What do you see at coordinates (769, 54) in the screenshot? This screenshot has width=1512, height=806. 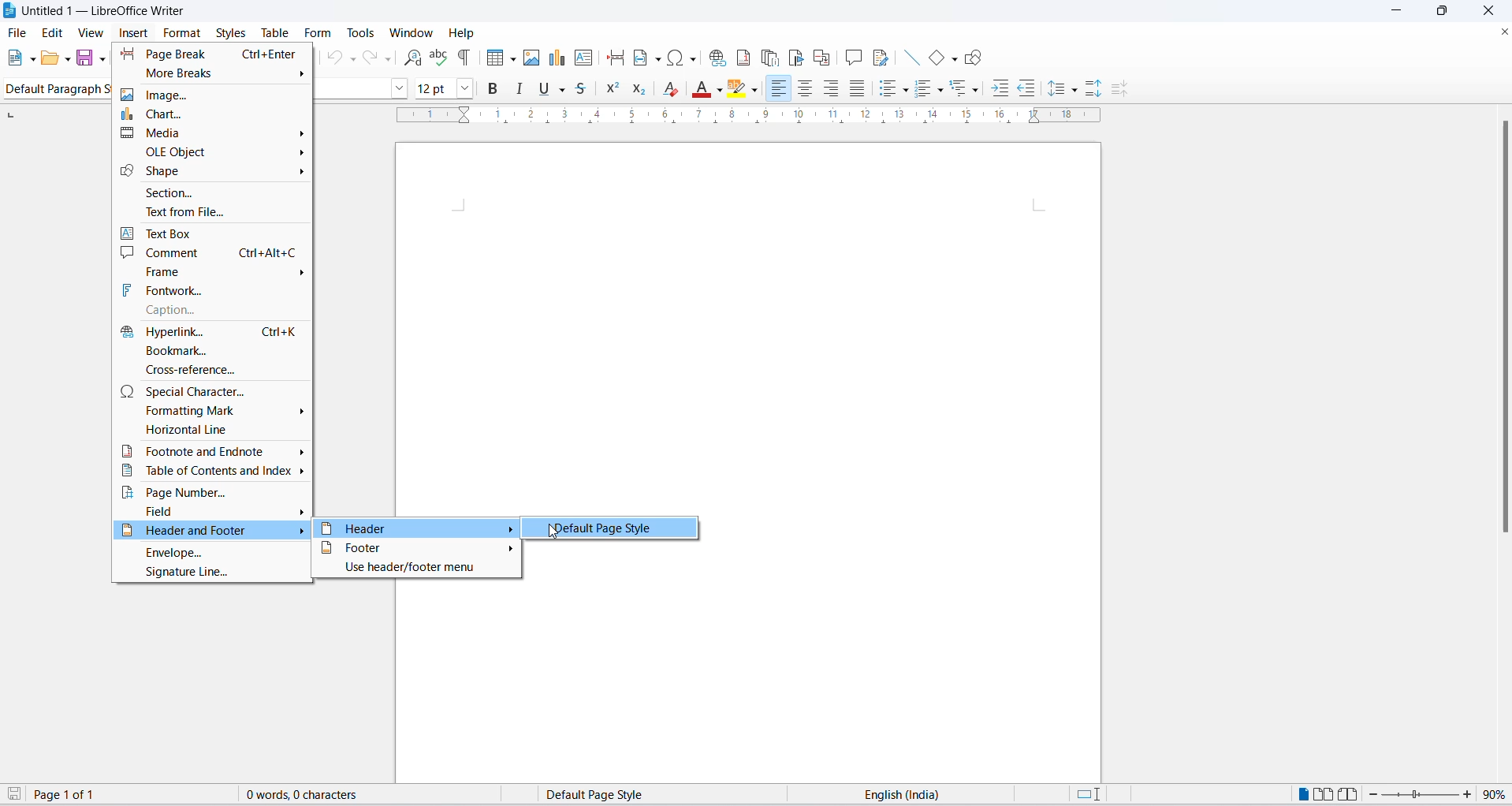 I see `insert endnote` at bounding box center [769, 54].